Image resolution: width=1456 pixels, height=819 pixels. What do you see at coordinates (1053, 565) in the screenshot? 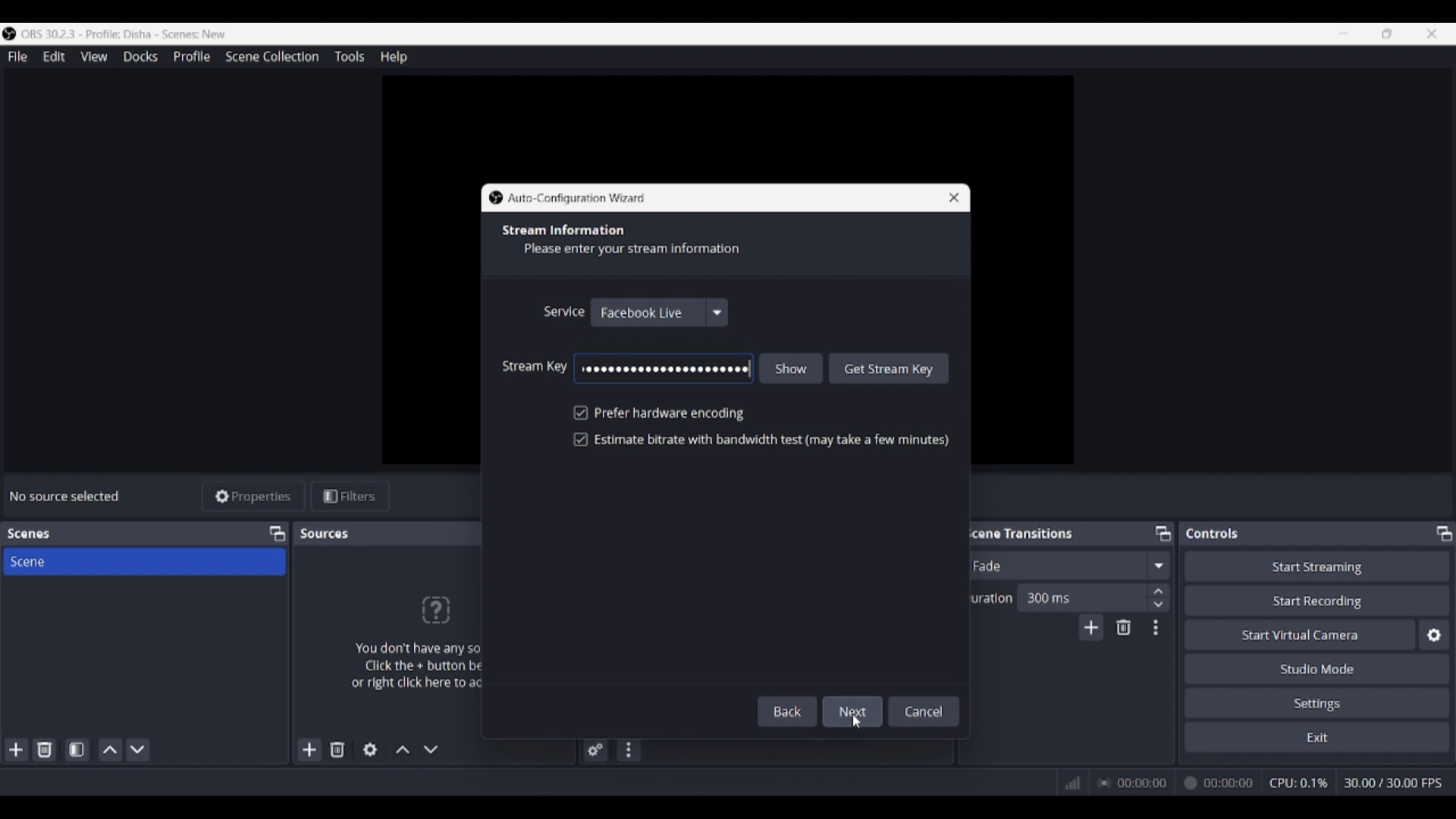
I see `Current fade` at bounding box center [1053, 565].